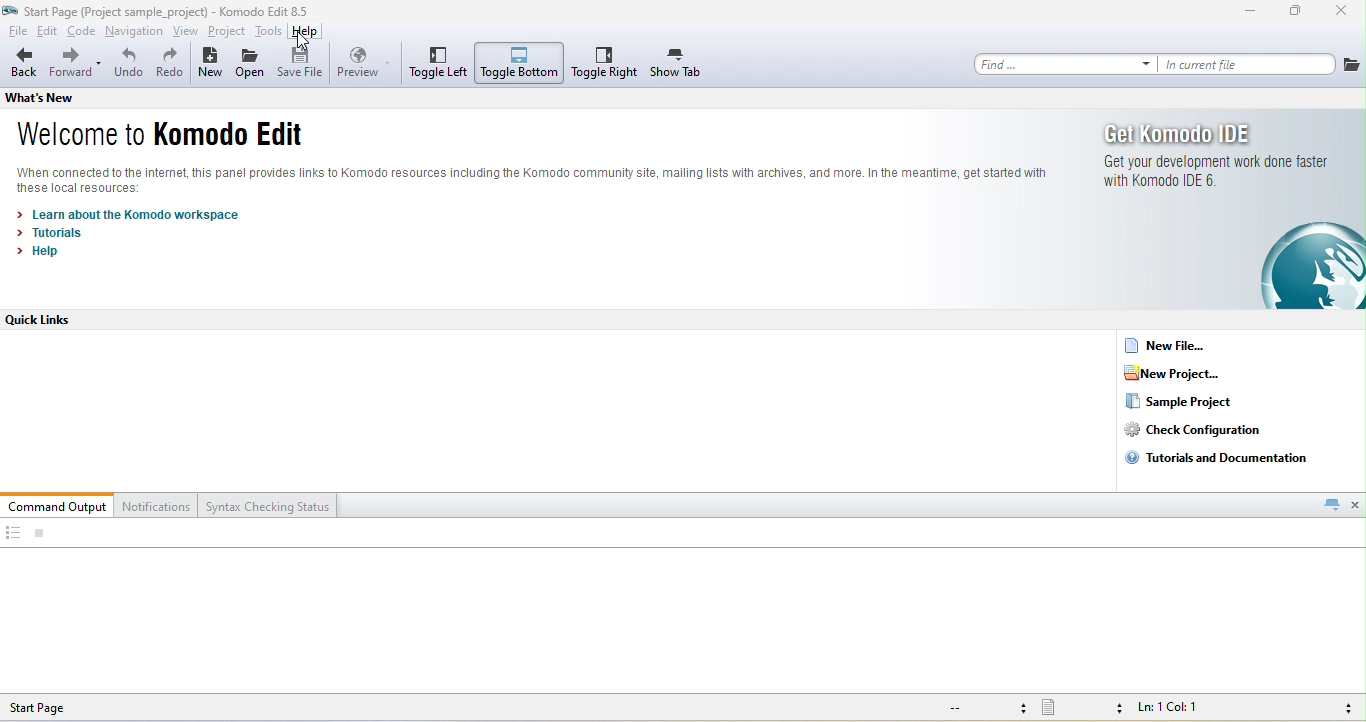 The image size is (1366, 722). I want to click on project, so click(226, 32).